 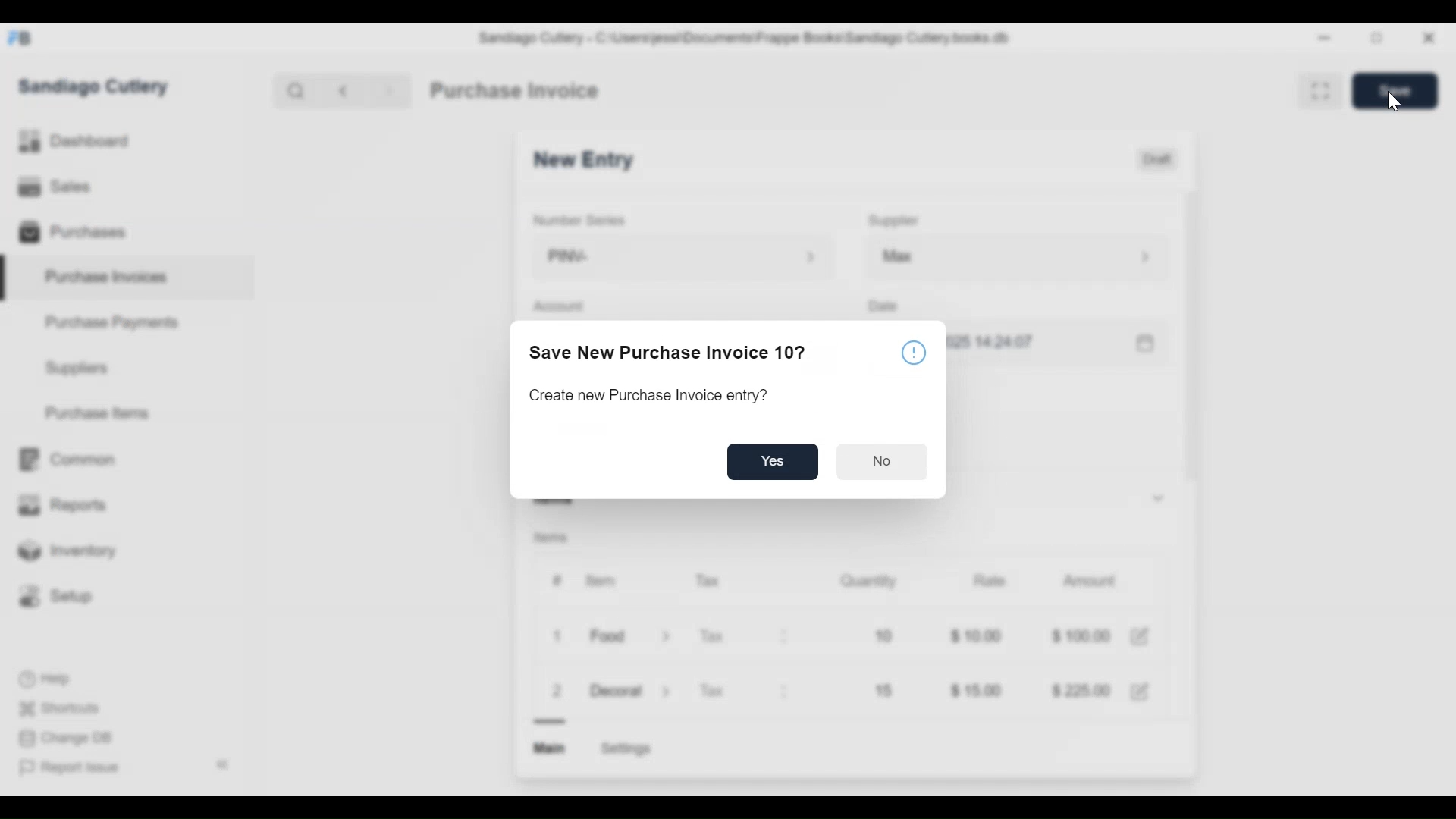 I want to click on No, so click(x=883, y=462).